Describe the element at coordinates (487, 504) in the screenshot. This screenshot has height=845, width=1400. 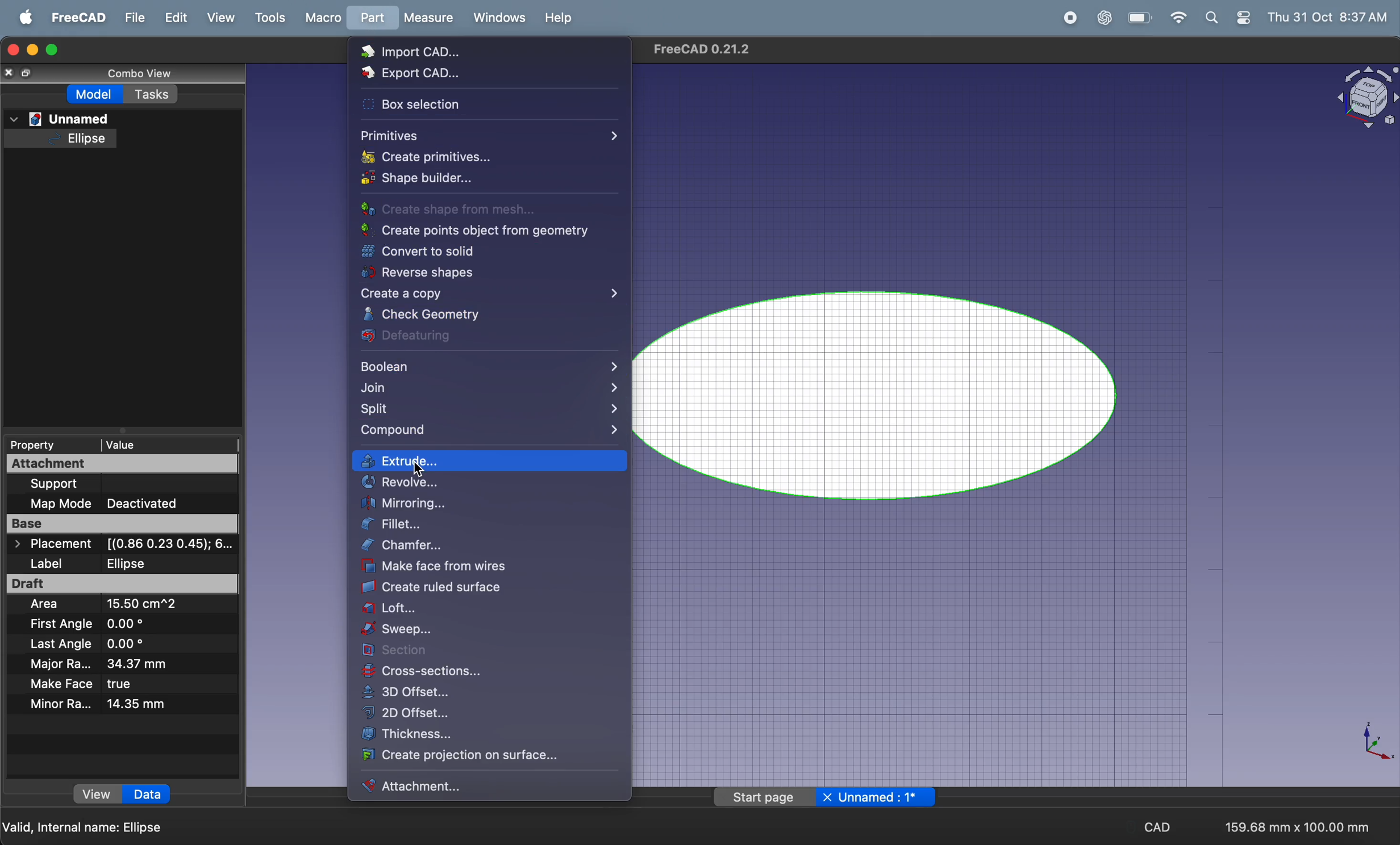
I see `` at that location.